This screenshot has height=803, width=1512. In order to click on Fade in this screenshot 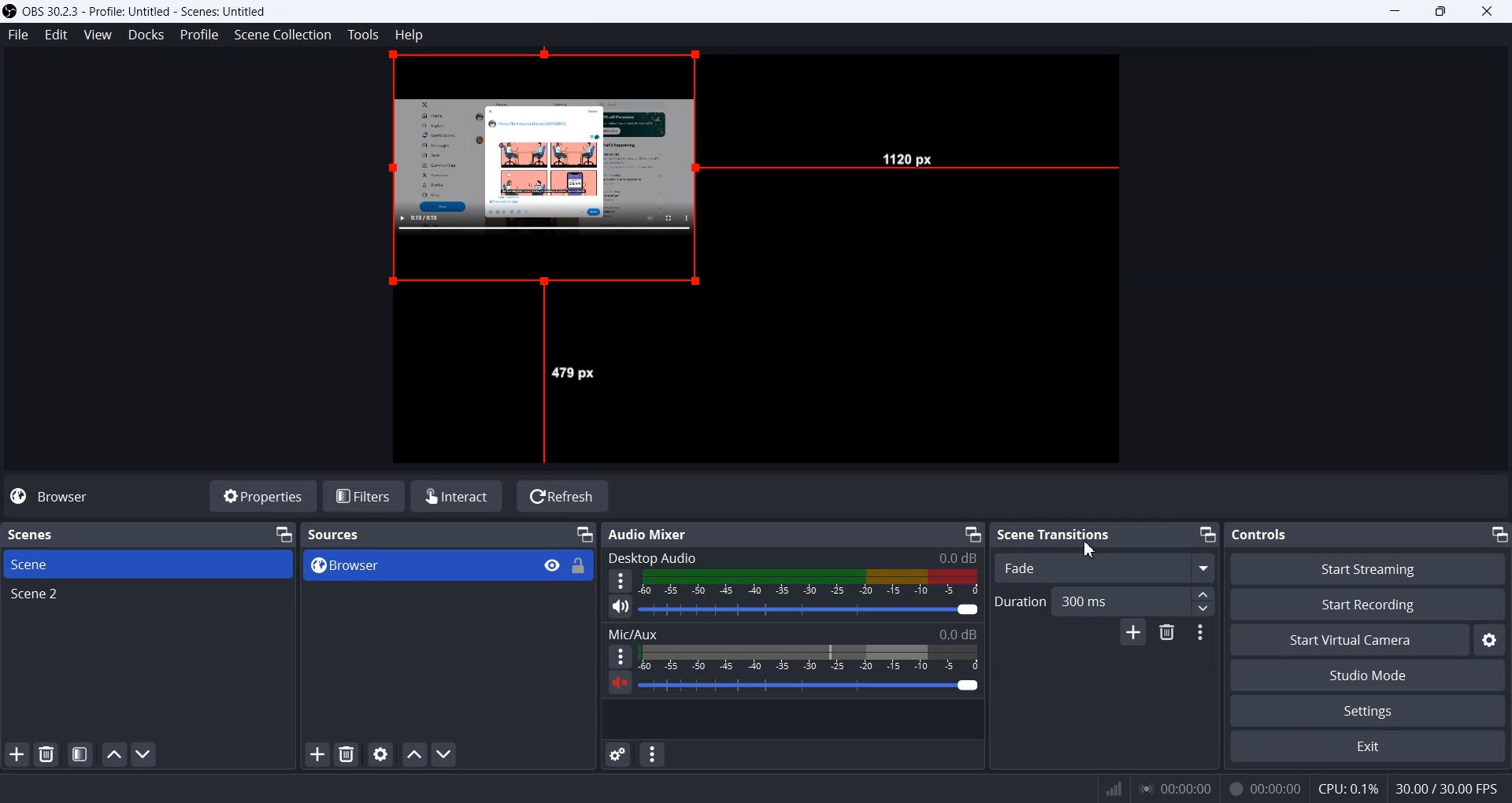, I will do `click(1088, 567)`.